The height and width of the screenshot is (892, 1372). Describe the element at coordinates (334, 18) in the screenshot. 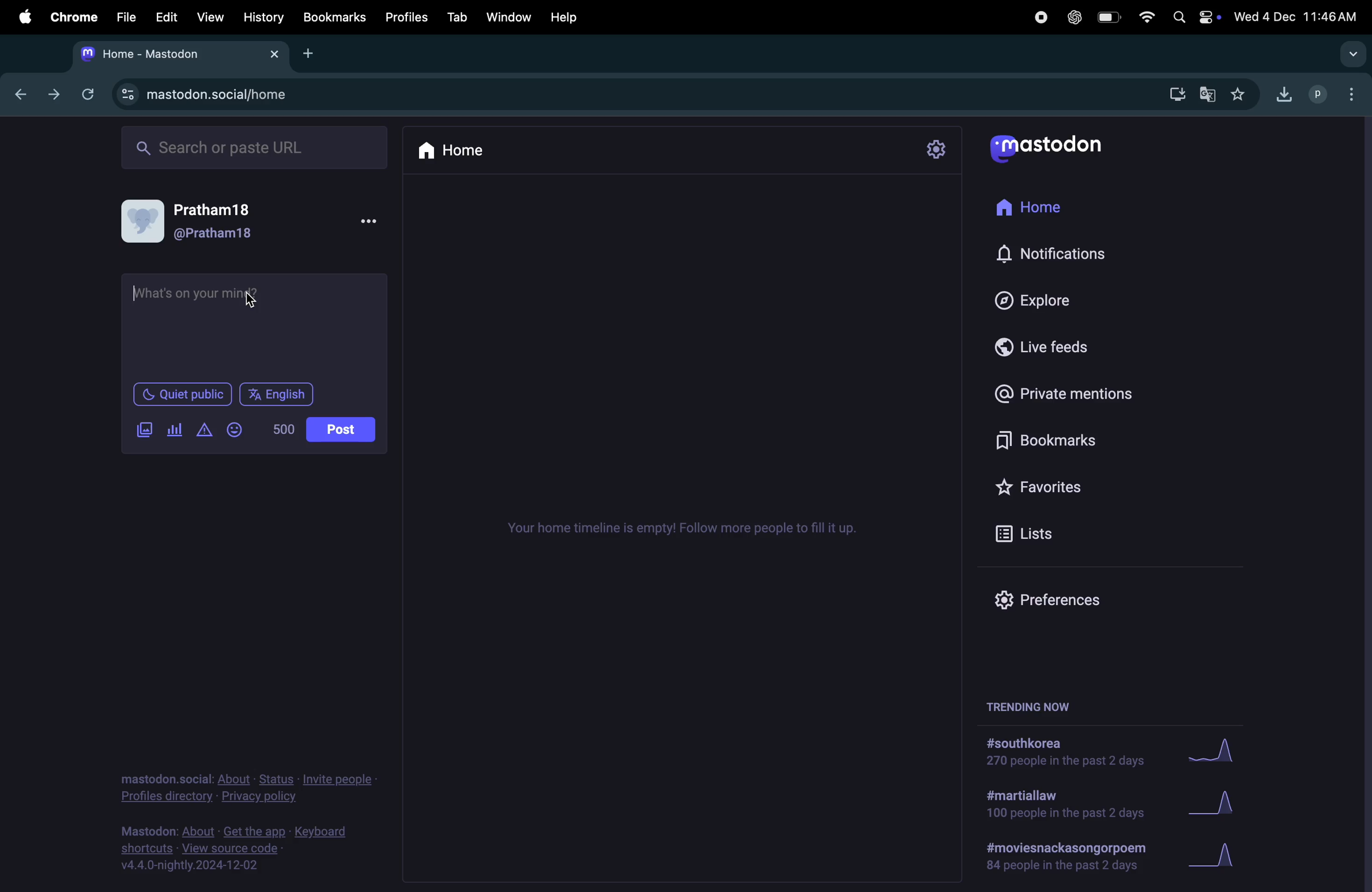

I see `Bookmark` at that location.